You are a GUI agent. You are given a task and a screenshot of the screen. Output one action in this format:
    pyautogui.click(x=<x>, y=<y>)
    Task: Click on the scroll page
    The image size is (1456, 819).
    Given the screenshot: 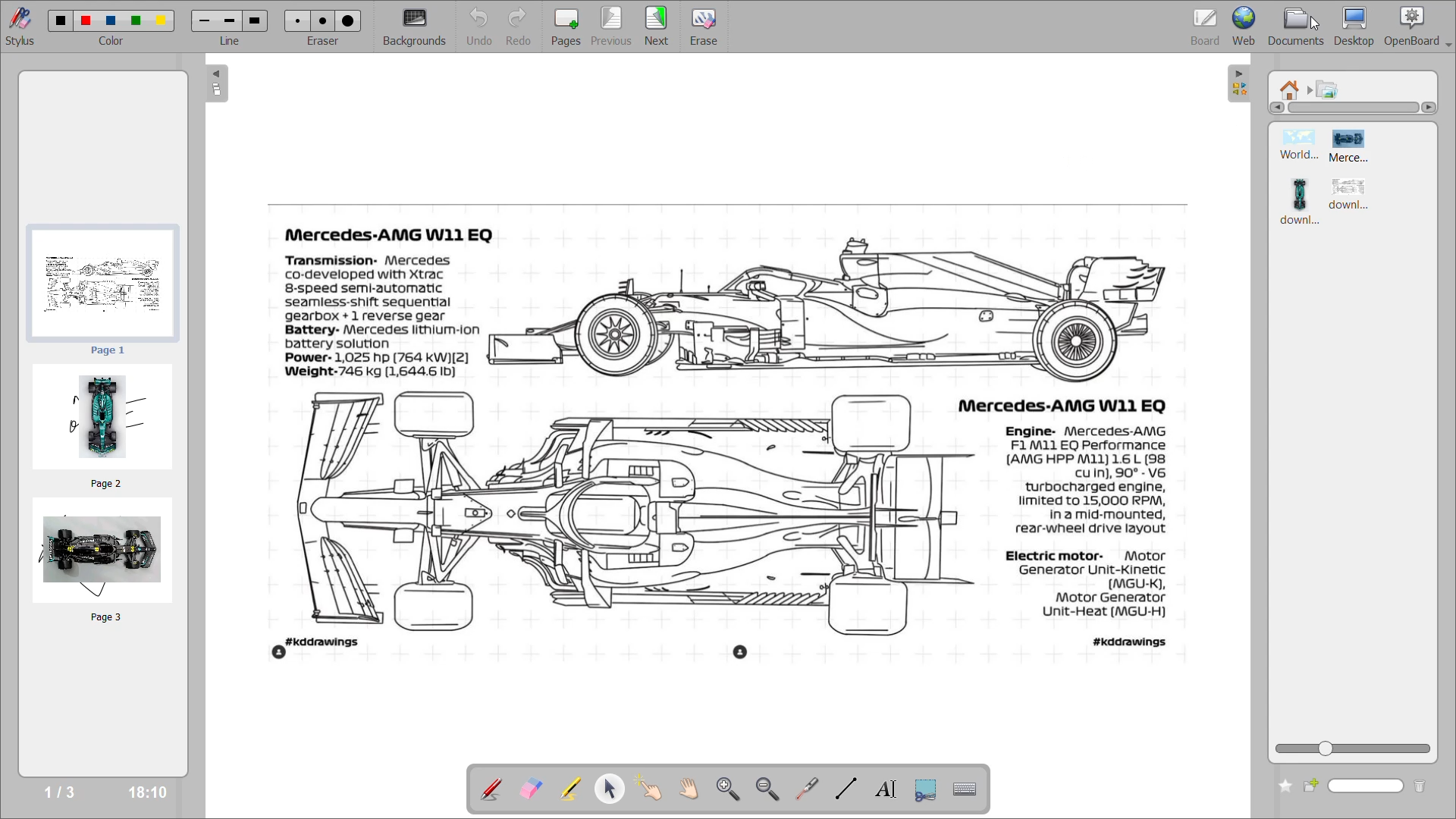 What is the action you would take?
    pyautogui.click(x=691, y=790)
    